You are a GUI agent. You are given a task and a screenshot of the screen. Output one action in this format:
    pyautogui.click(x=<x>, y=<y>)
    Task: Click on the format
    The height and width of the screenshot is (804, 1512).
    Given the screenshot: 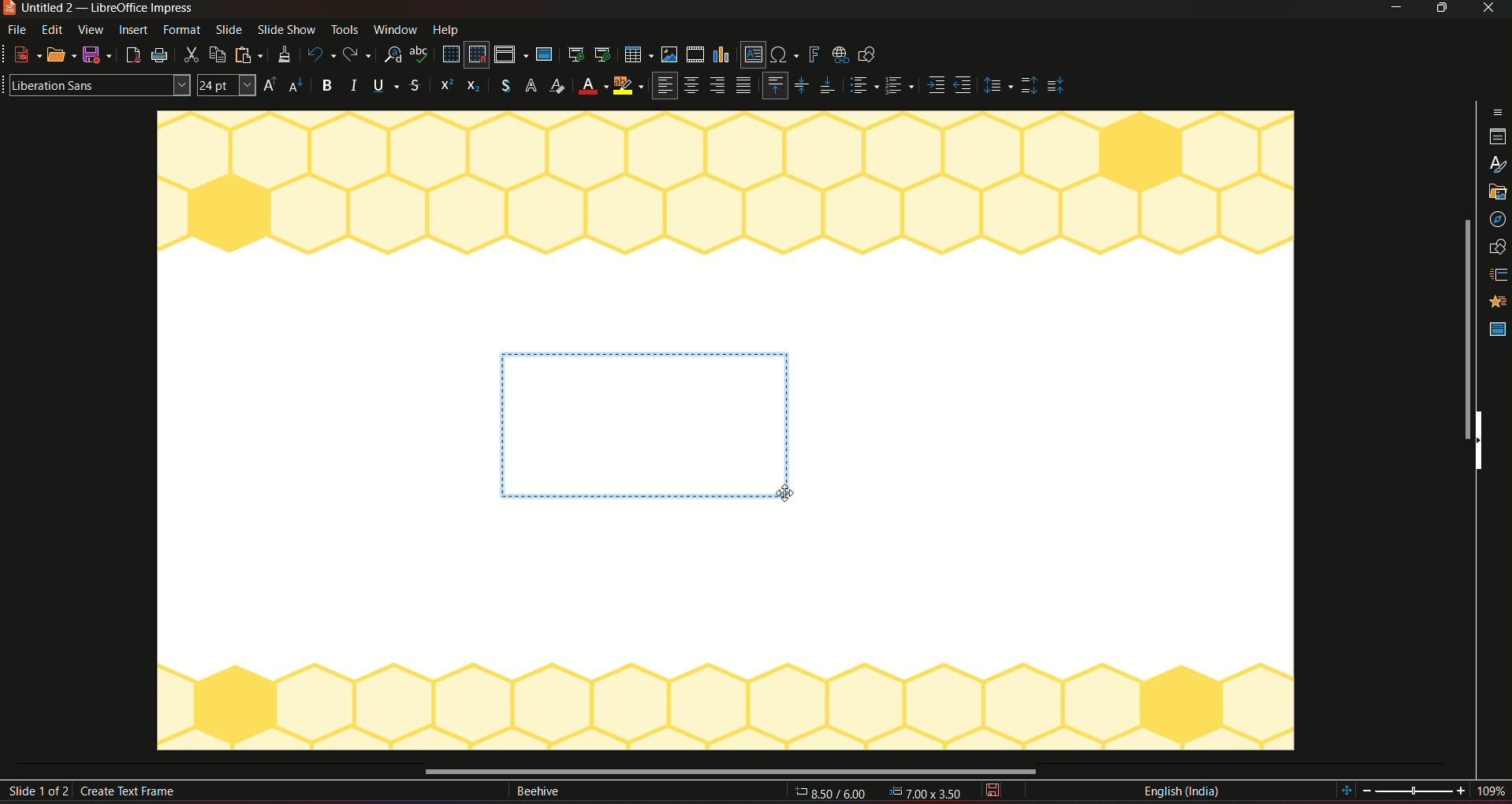 What is the action you would take?
    pyautogui.click(x=182, y=30)
    